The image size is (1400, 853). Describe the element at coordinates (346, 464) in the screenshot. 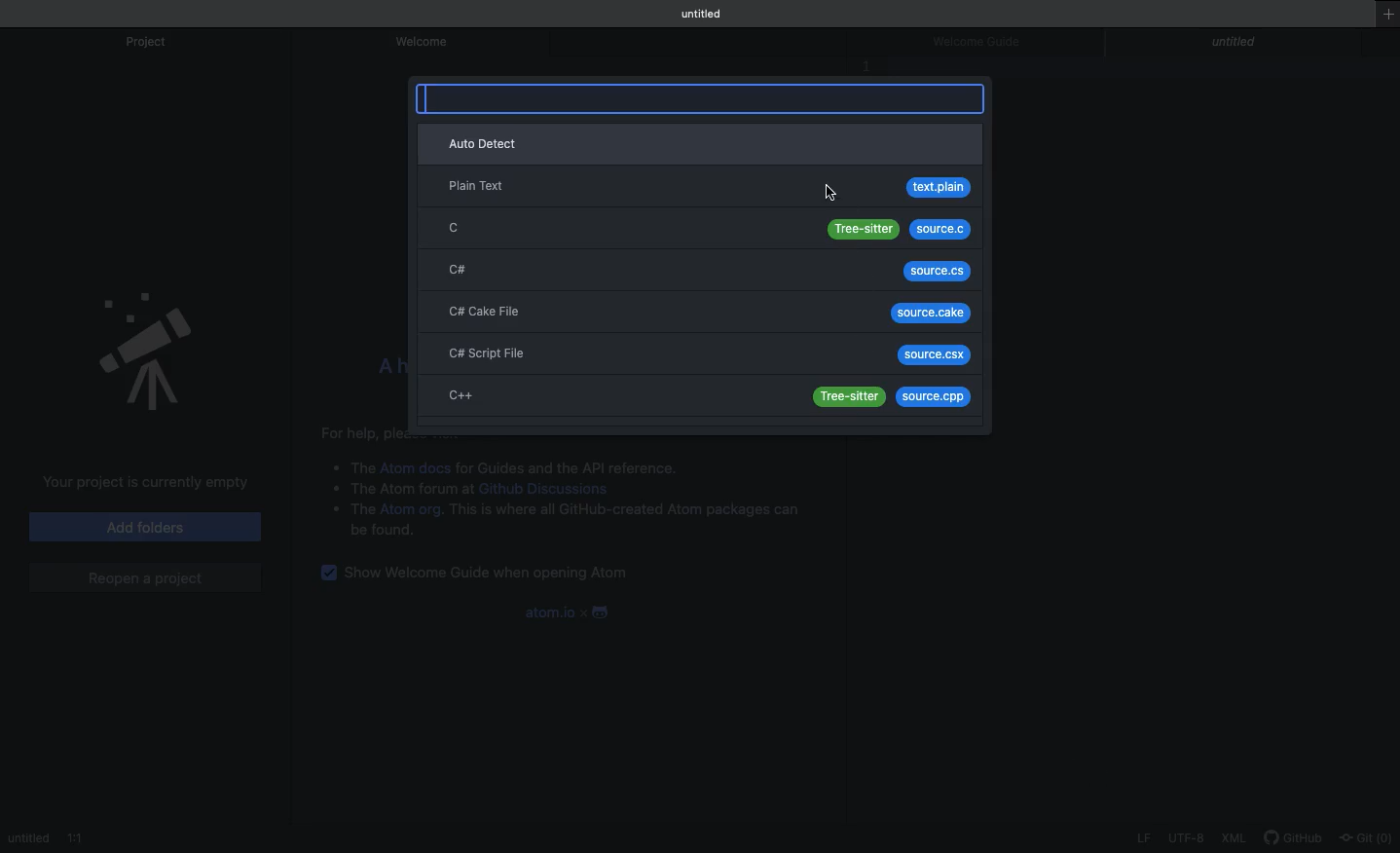

I see `list item` at that location.